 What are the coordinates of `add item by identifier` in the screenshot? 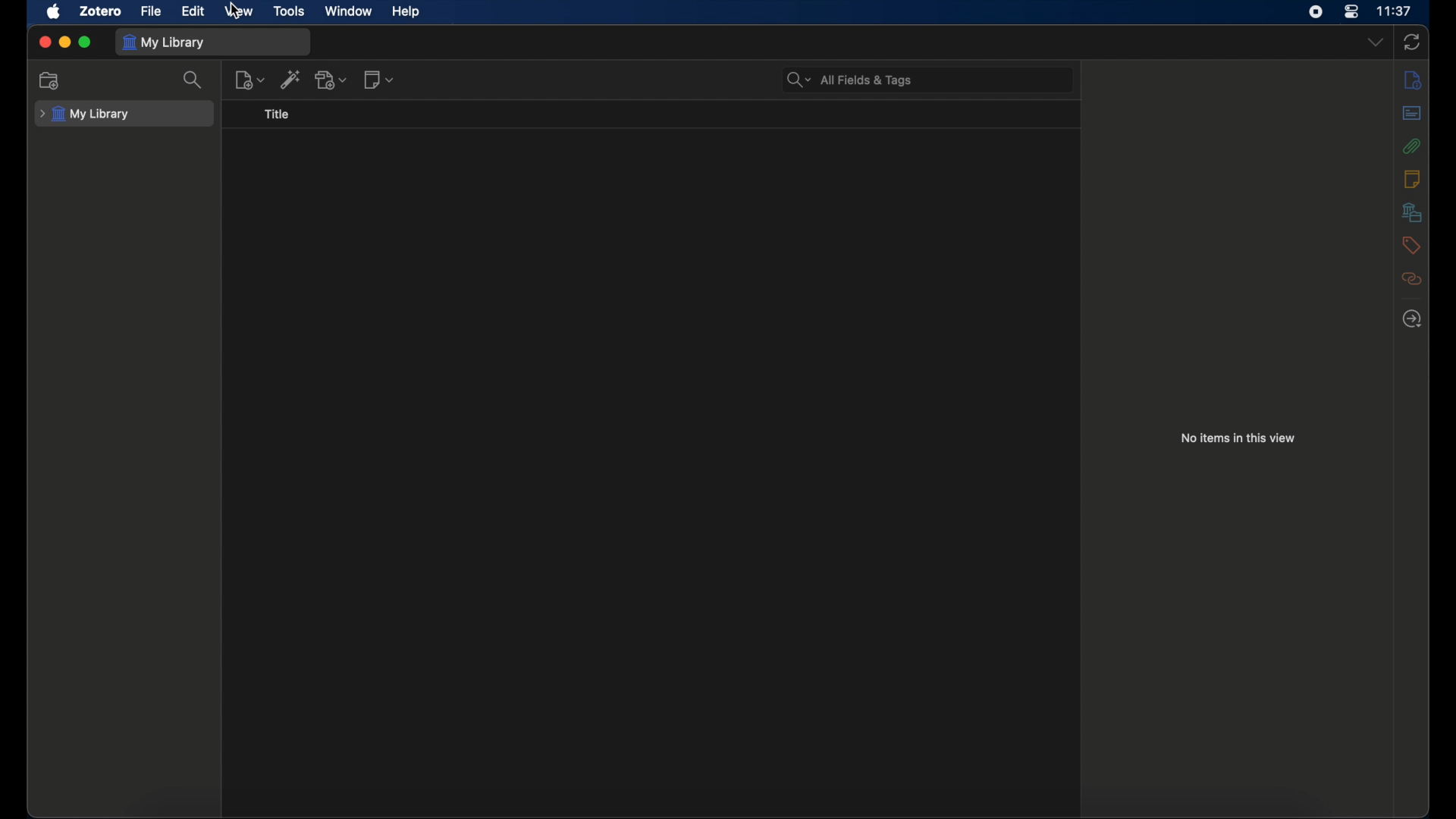 It's located at (292, 79).